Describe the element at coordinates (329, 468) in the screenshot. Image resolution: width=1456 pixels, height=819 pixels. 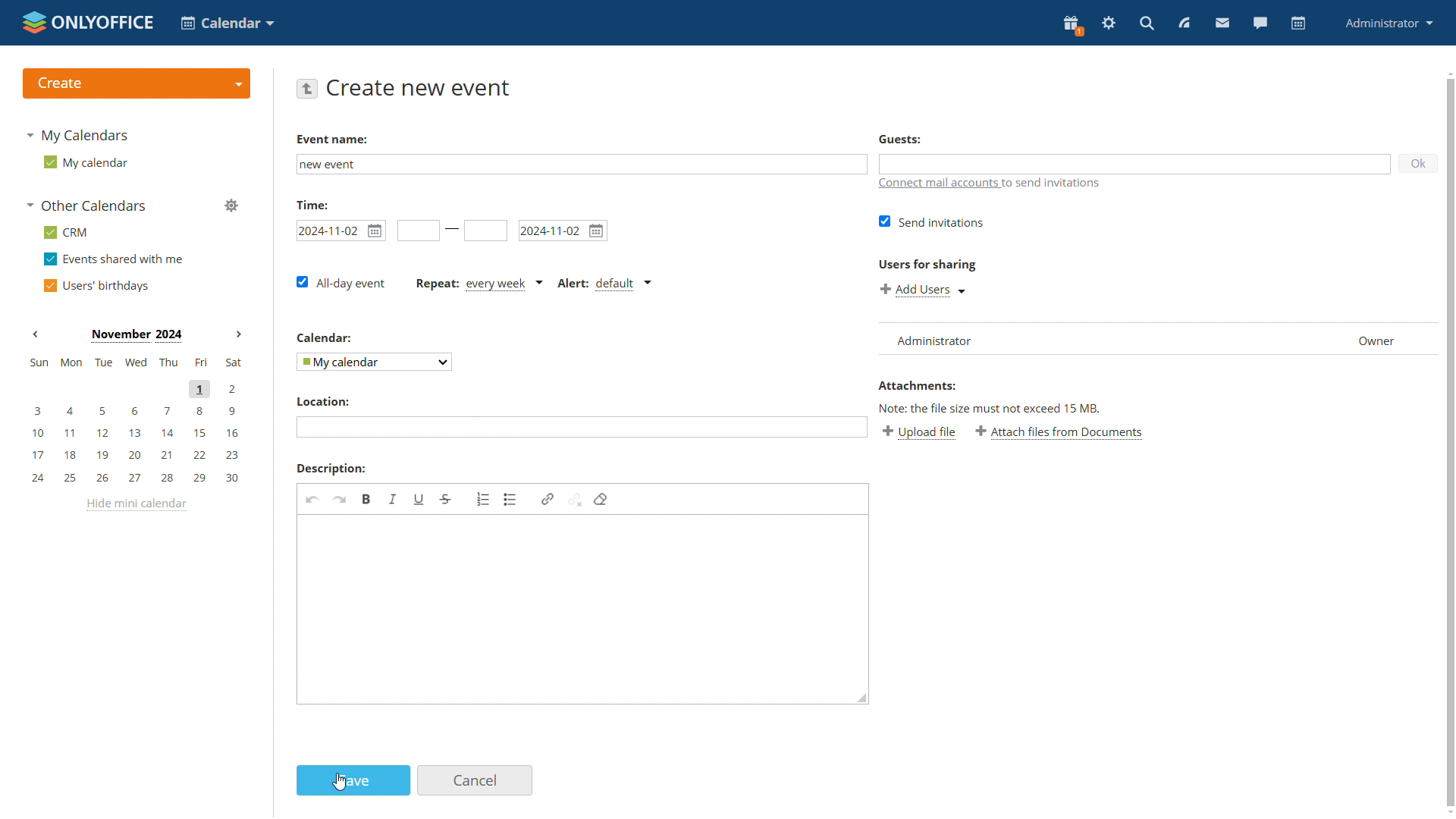
I see `Description` at that location.